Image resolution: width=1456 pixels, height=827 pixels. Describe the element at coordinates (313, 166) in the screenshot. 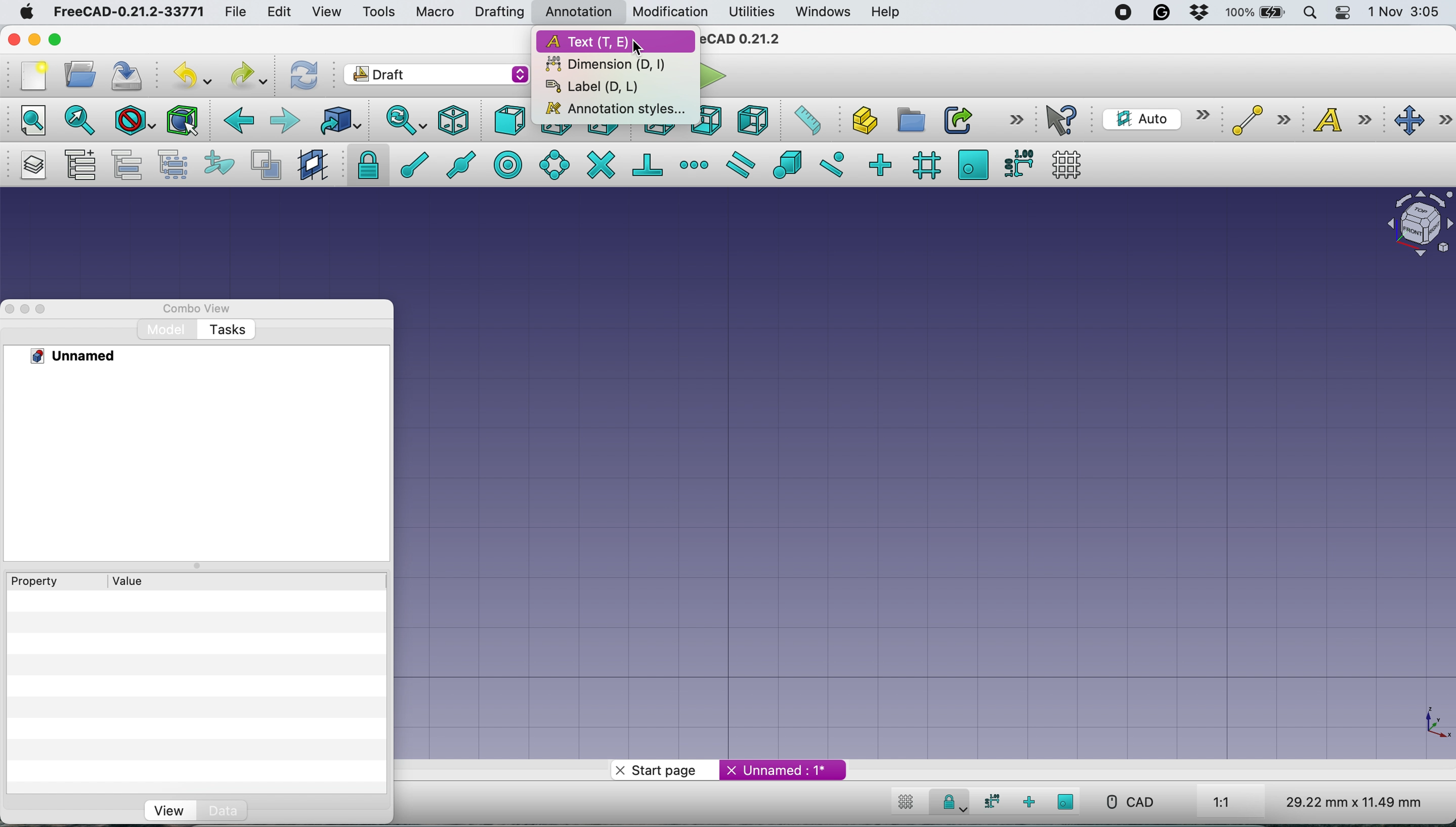

I see `create working plane proxy` at that location.